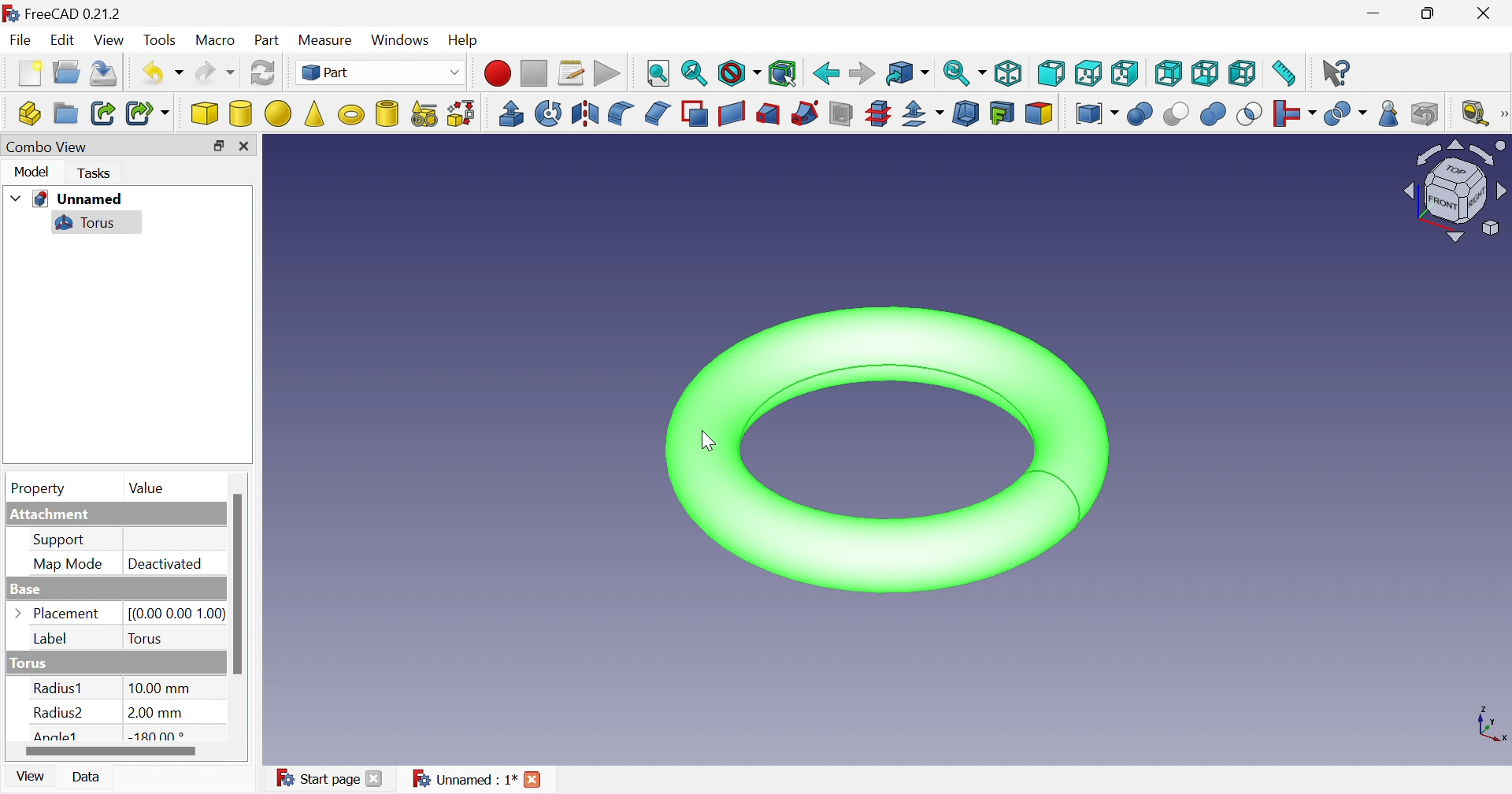 Image resolution: width=1512 pixels, height=794 pixels. What do you see at coordinates (278, 114) in the screenshot?
I see `Sphere` at bounding box center [278, 114].